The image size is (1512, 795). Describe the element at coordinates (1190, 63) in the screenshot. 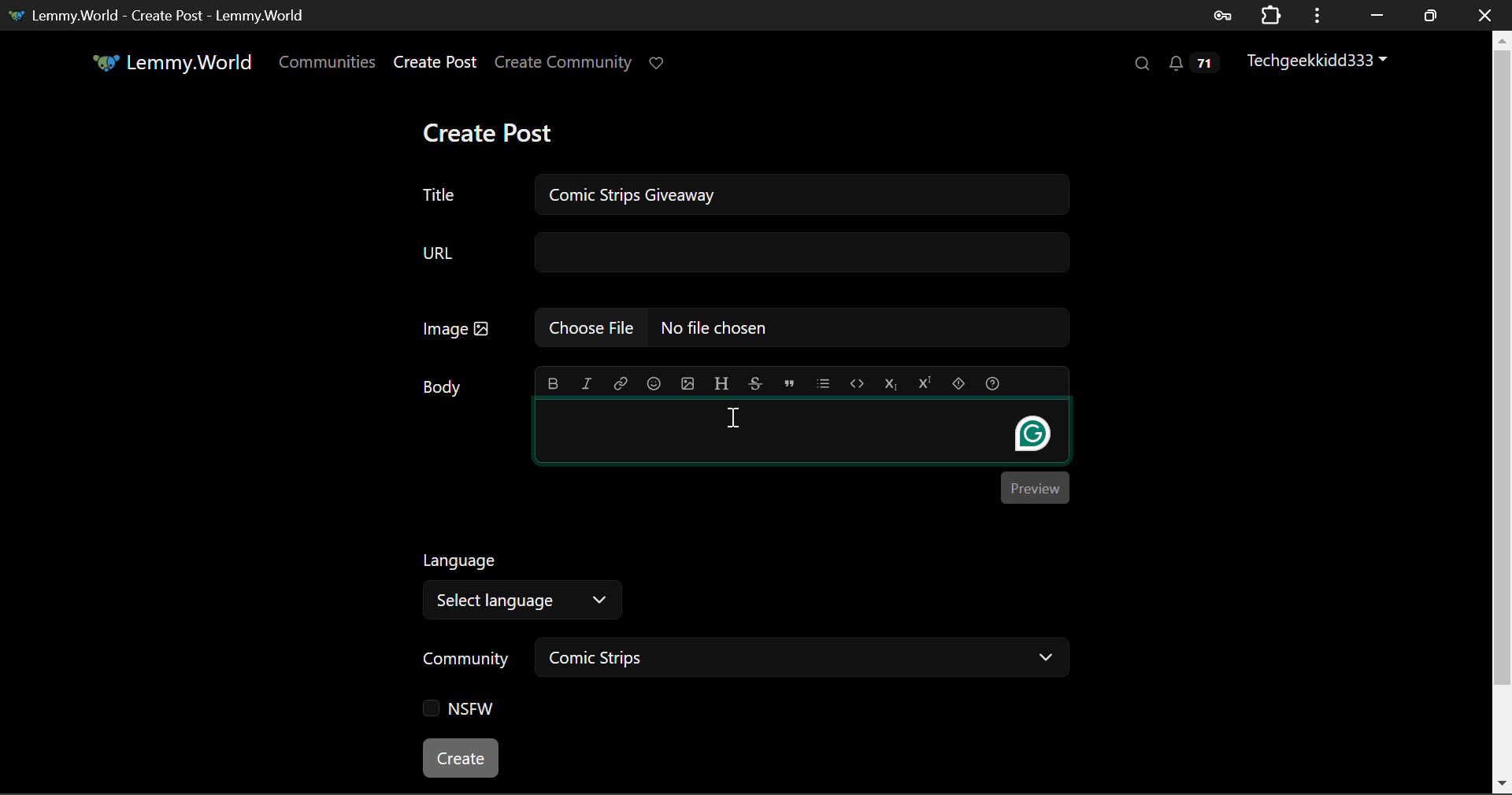

I see `Notifications` at that location.